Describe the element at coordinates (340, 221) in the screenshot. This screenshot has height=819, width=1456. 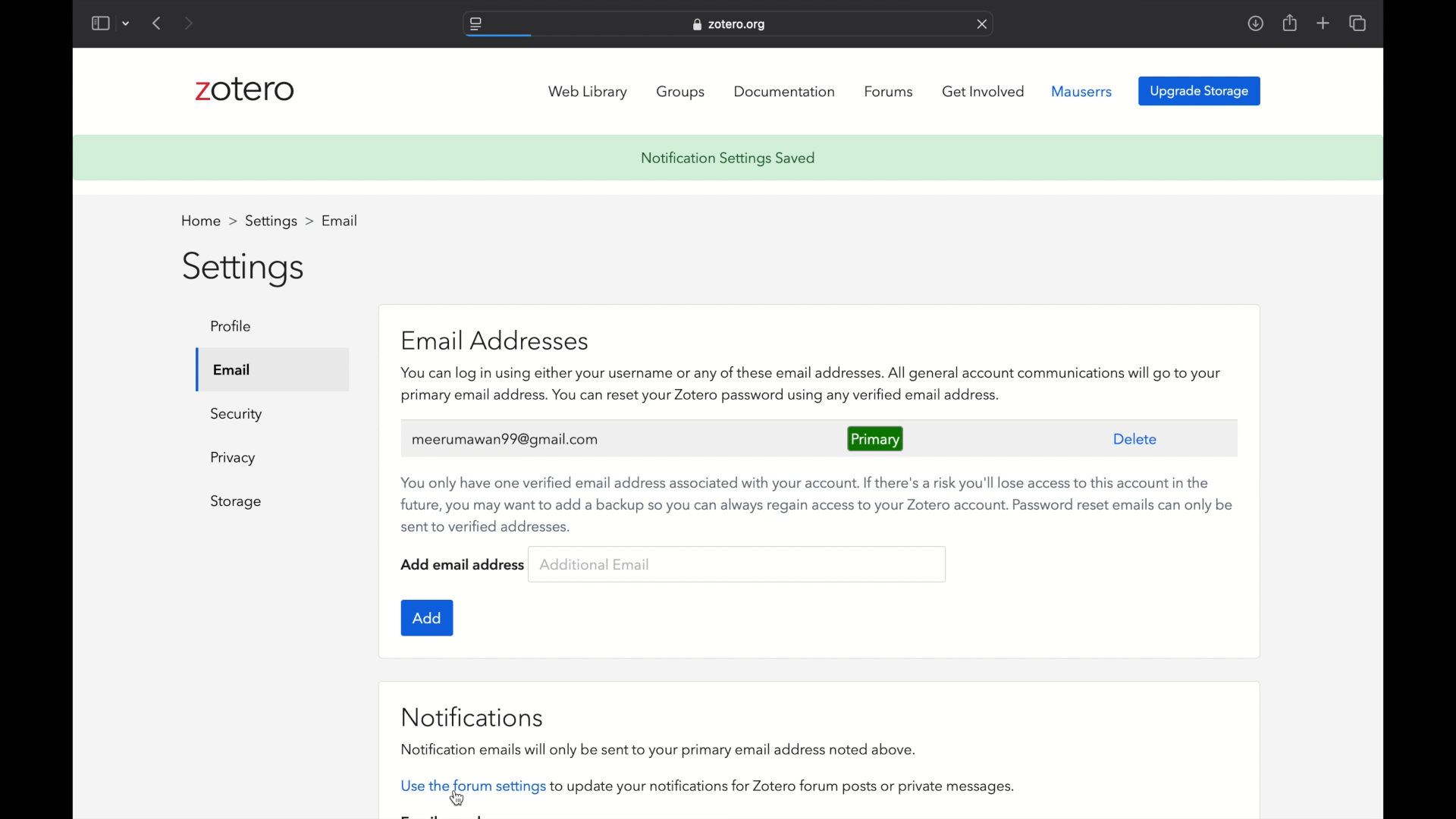
I see `email` at that location.